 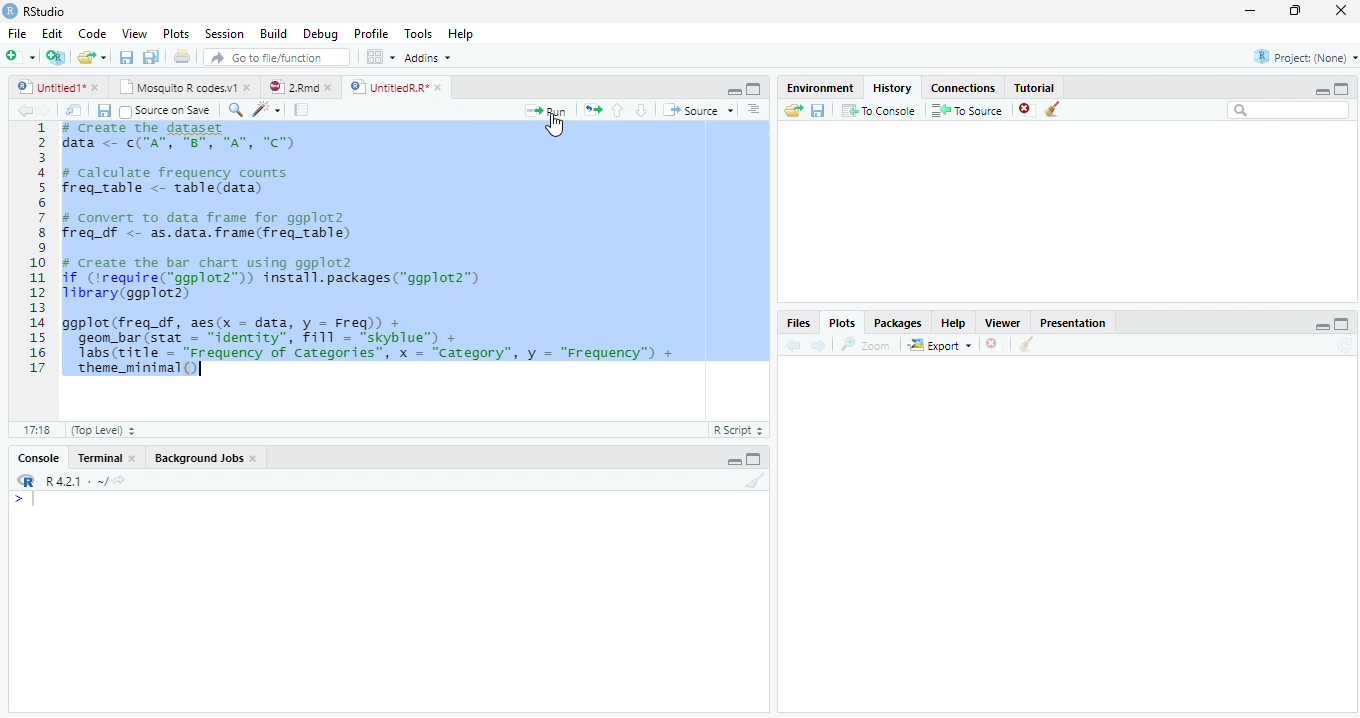 I want to click on Cursor, so click(x=37, y=501).